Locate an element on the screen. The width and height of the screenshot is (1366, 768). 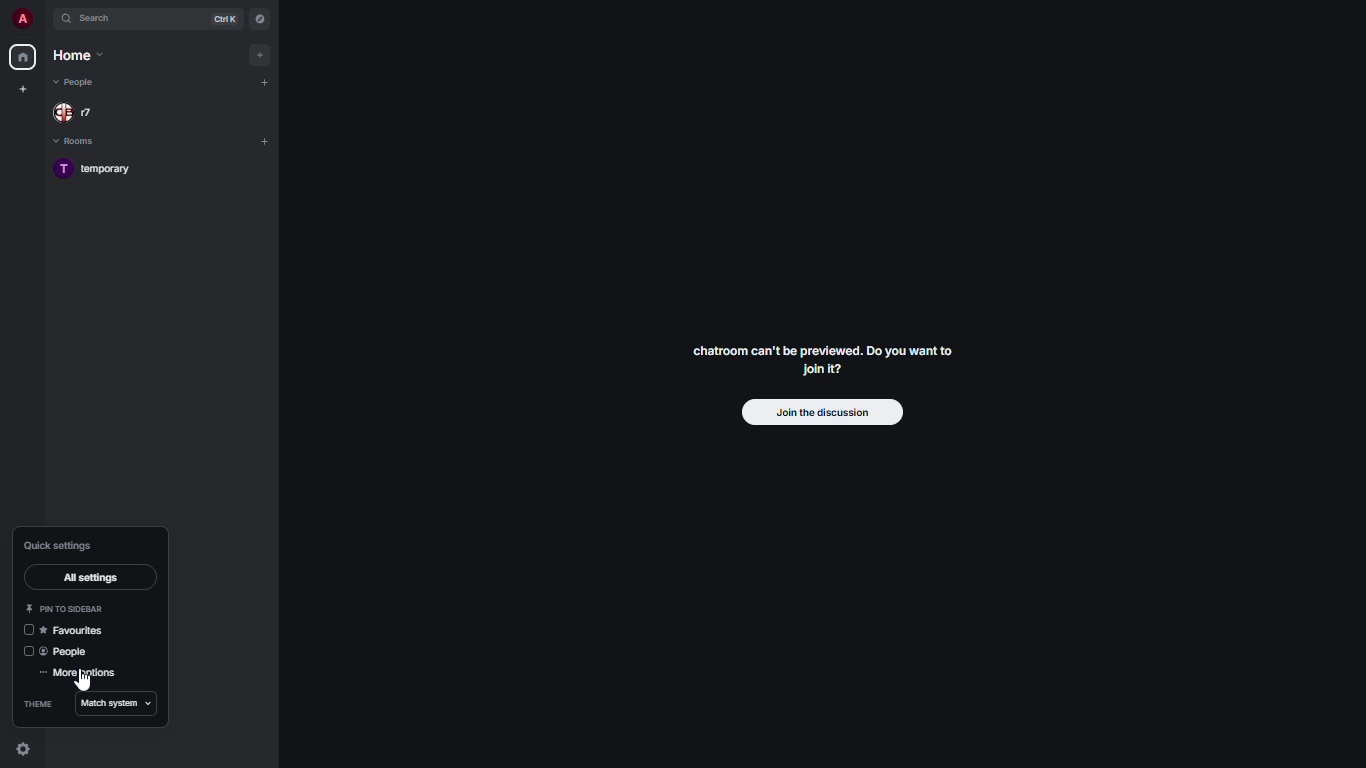
expand is located at coordinates (47, 19).